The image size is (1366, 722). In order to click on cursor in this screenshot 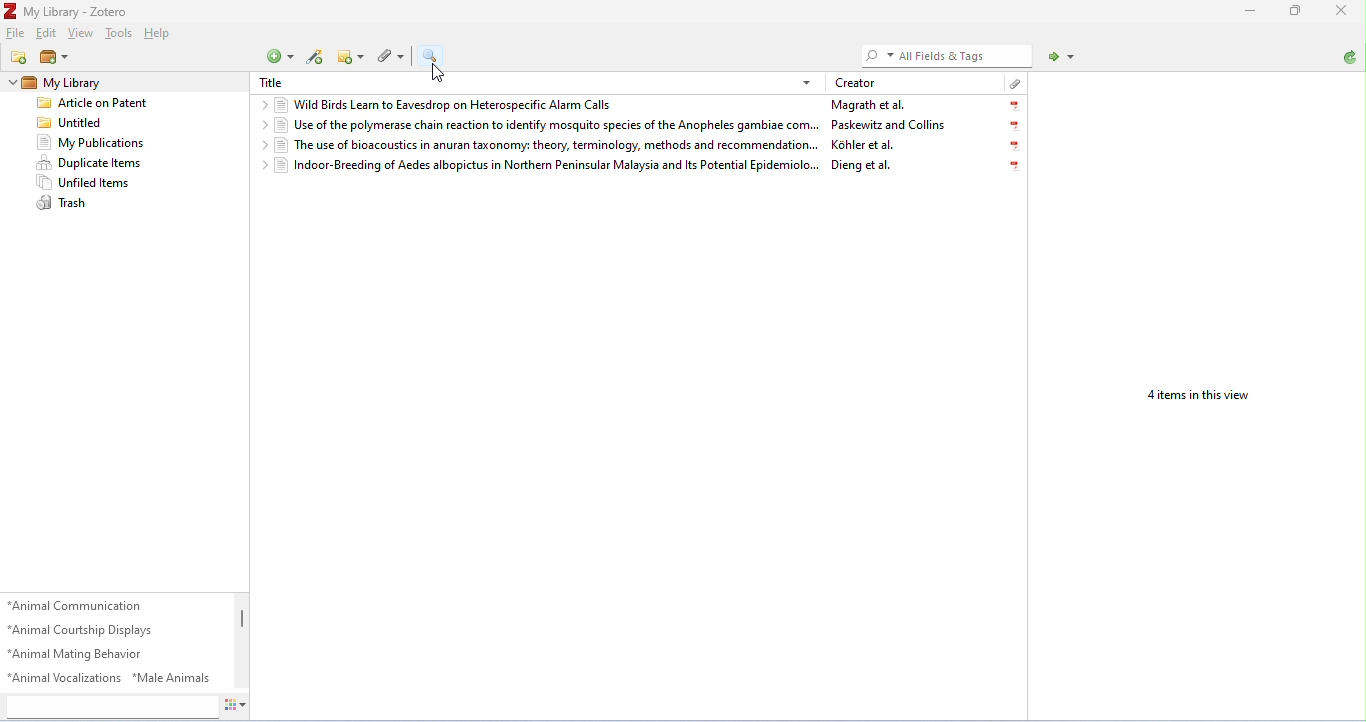, I will do `click(438, 73)`.